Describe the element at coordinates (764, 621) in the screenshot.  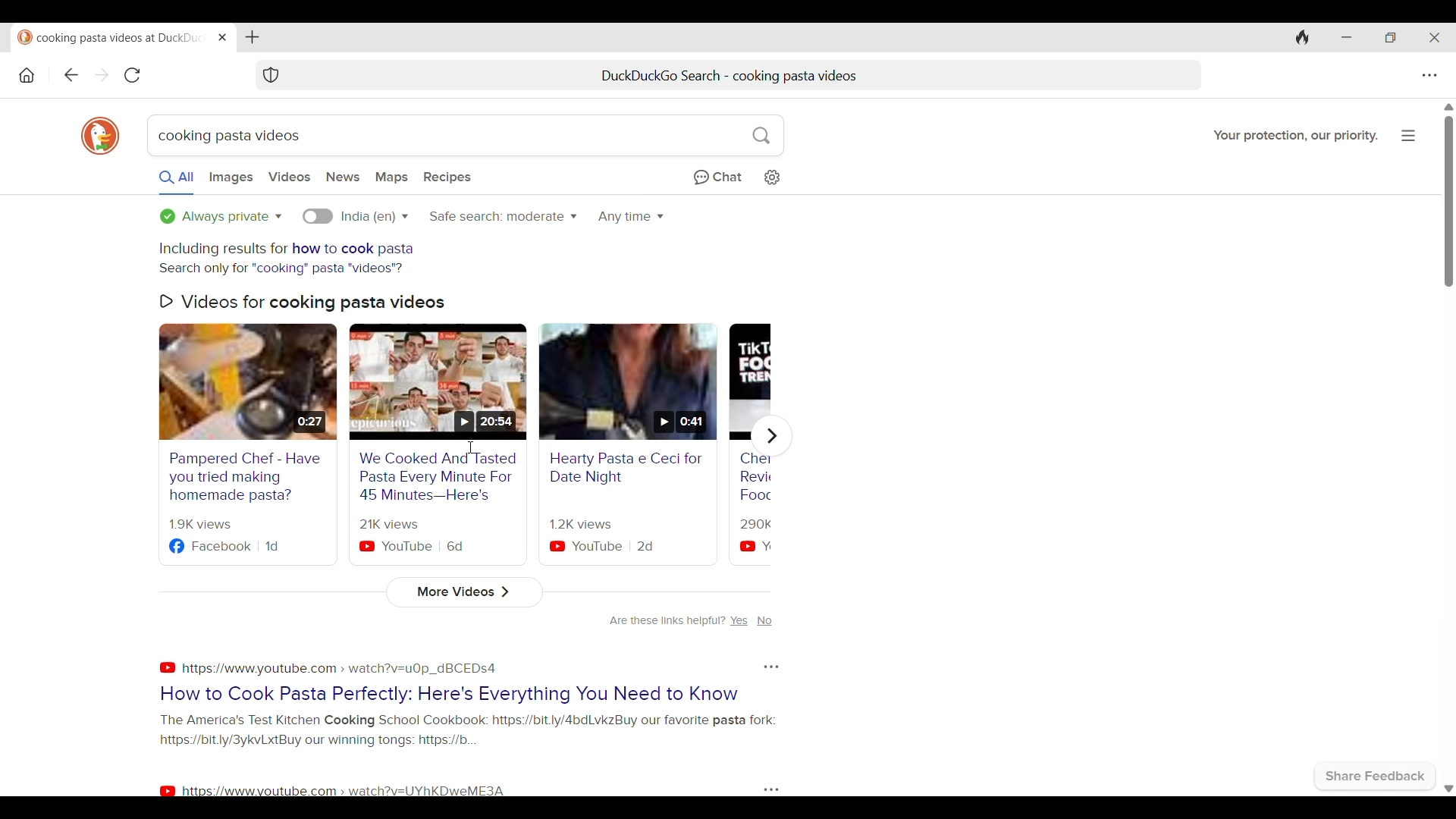
I see `no` at that location.